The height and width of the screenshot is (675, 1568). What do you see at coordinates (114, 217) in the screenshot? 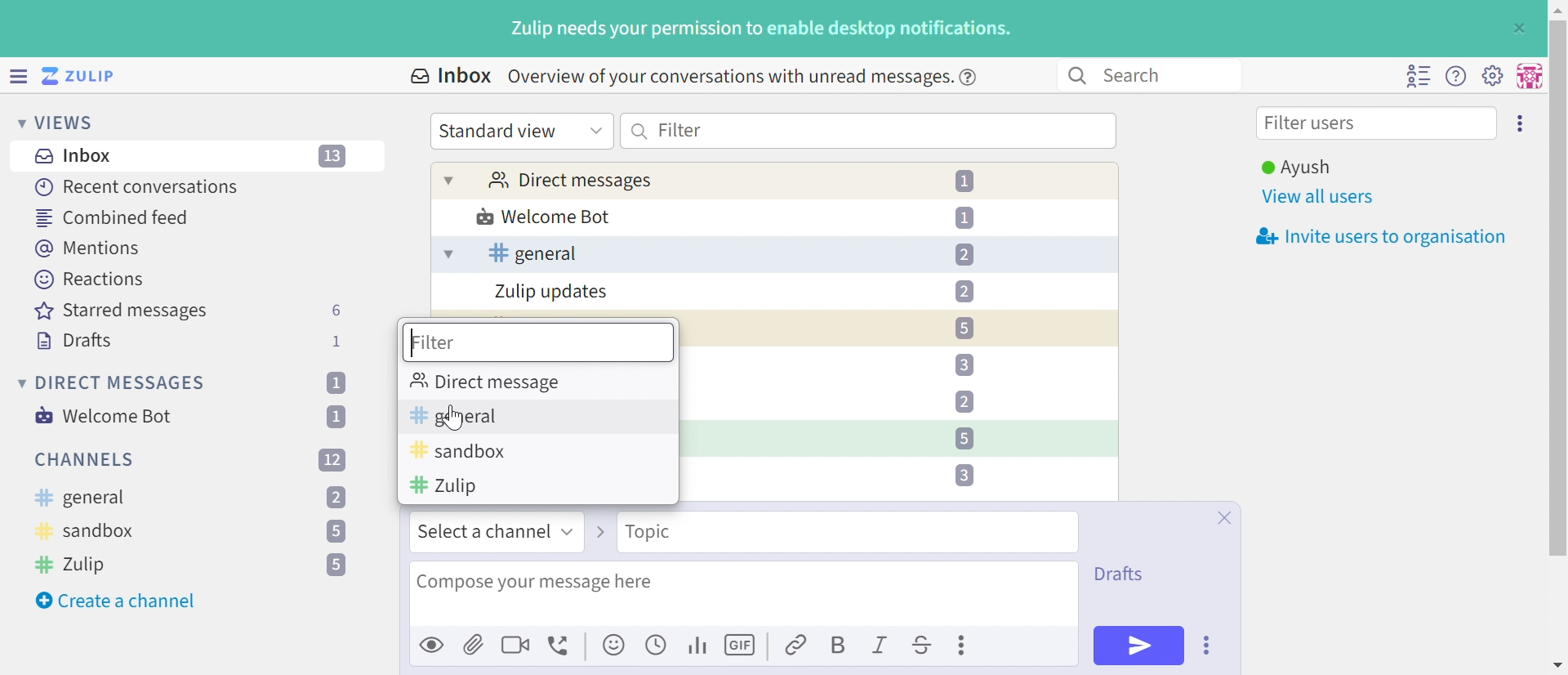
I see `Combined feed` at bounding box center [114, 217].